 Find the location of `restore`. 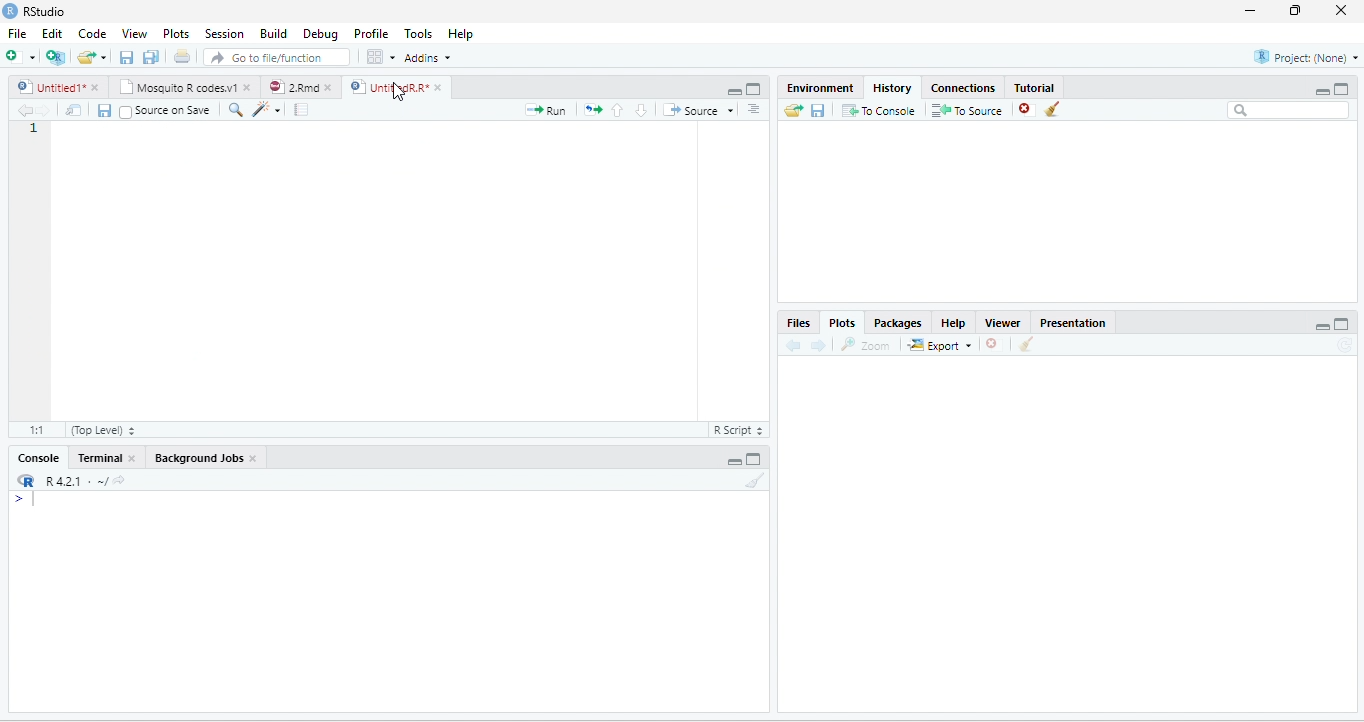

restore is located at coordinates (1297, 11).